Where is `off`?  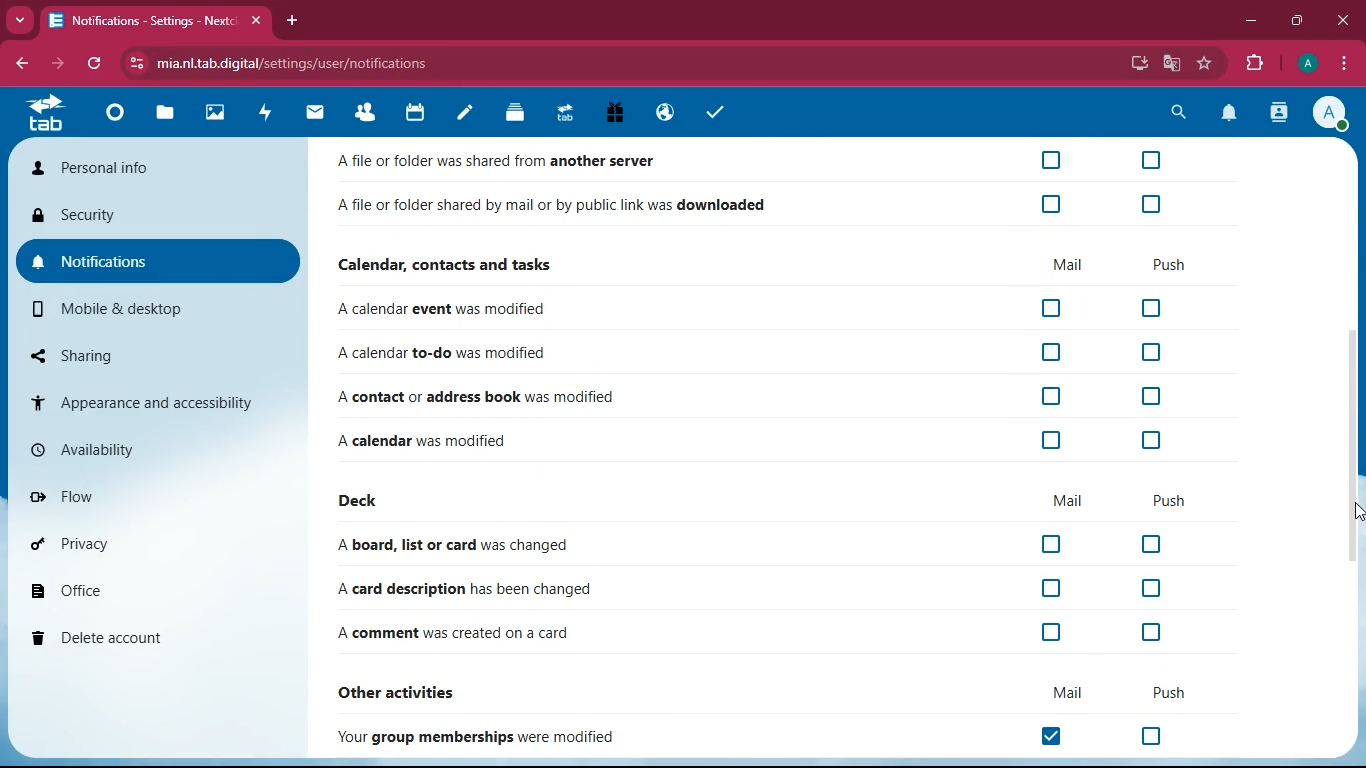 off is located at coordinates (1047, 396).